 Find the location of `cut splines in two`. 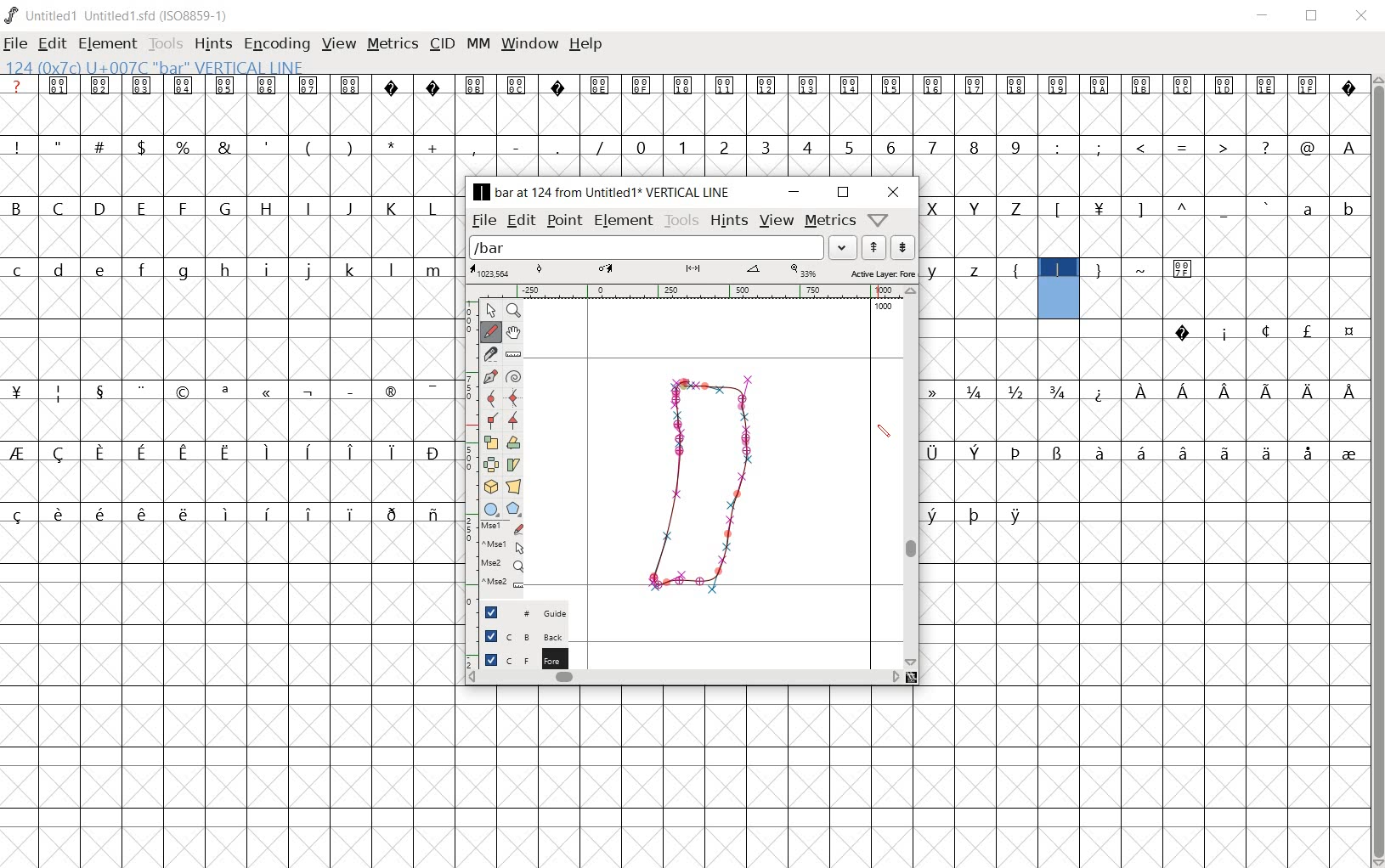

cut splines in two is located at coordinates (489, 354).